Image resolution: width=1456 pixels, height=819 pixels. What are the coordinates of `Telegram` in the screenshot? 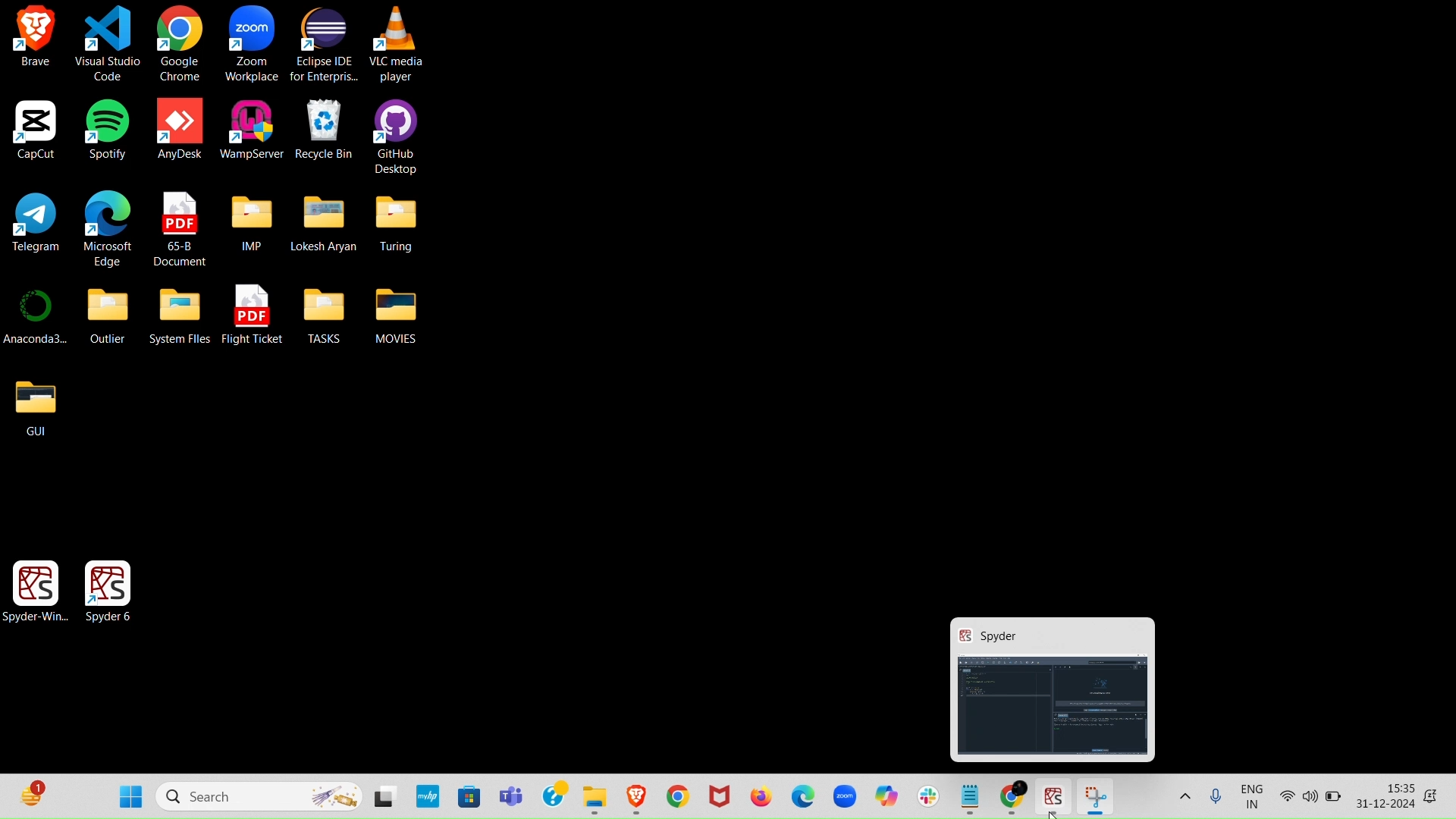 It's located at (39, 224).